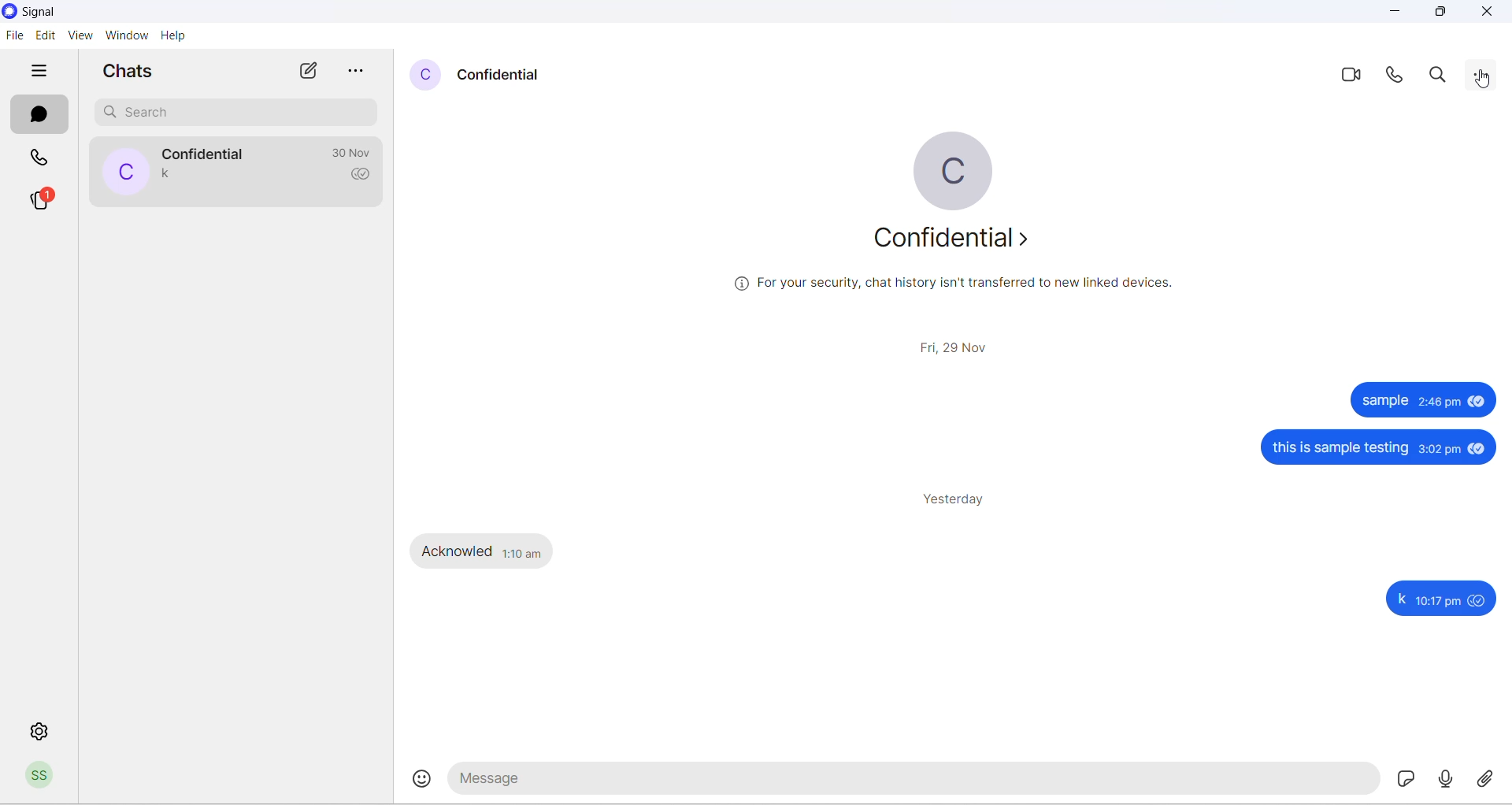 The width and height of the screenshot is (1512, 805). What do you see at coordinates (460, 551) in the screenshot?
I see `Acknowled` at bounding box center [460, 551].